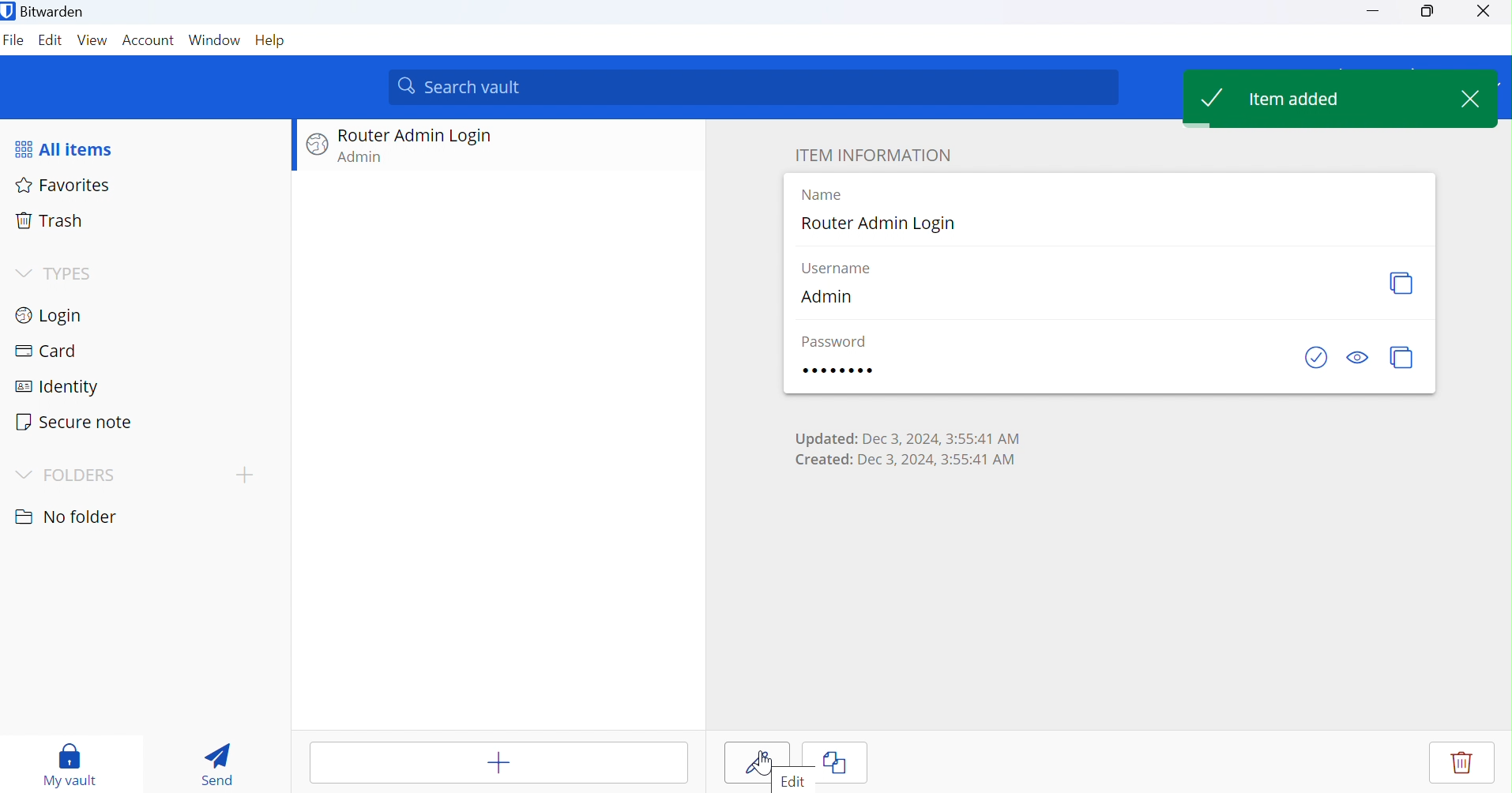 The image size is (1512, 793). I want to click on Created: Dec 3, 2024, 3:55:41 AM, so click(908, 461).